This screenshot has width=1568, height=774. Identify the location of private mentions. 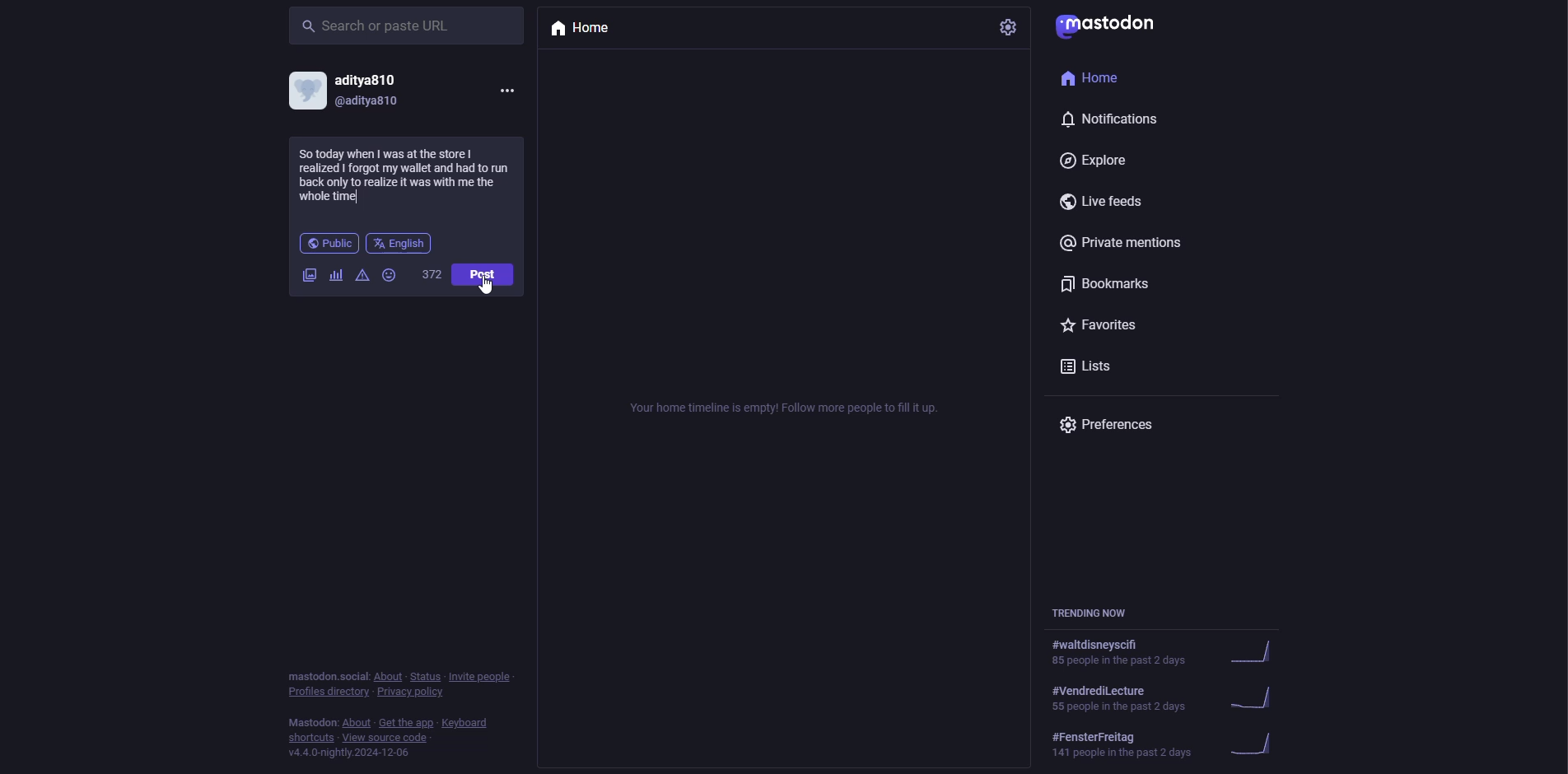
(1126, 243).